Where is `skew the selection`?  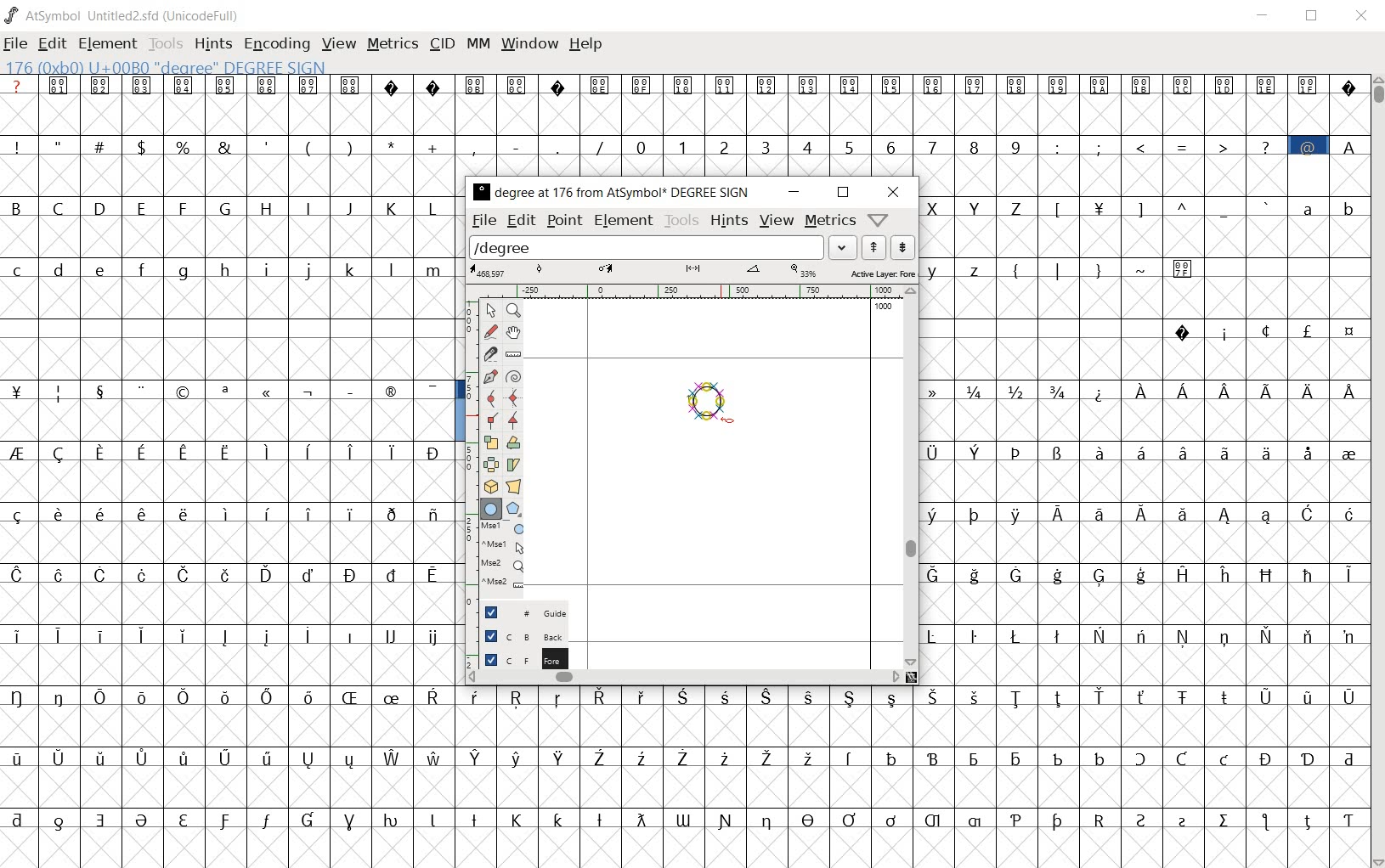 skew the selection is located at coordinates (513, 465).